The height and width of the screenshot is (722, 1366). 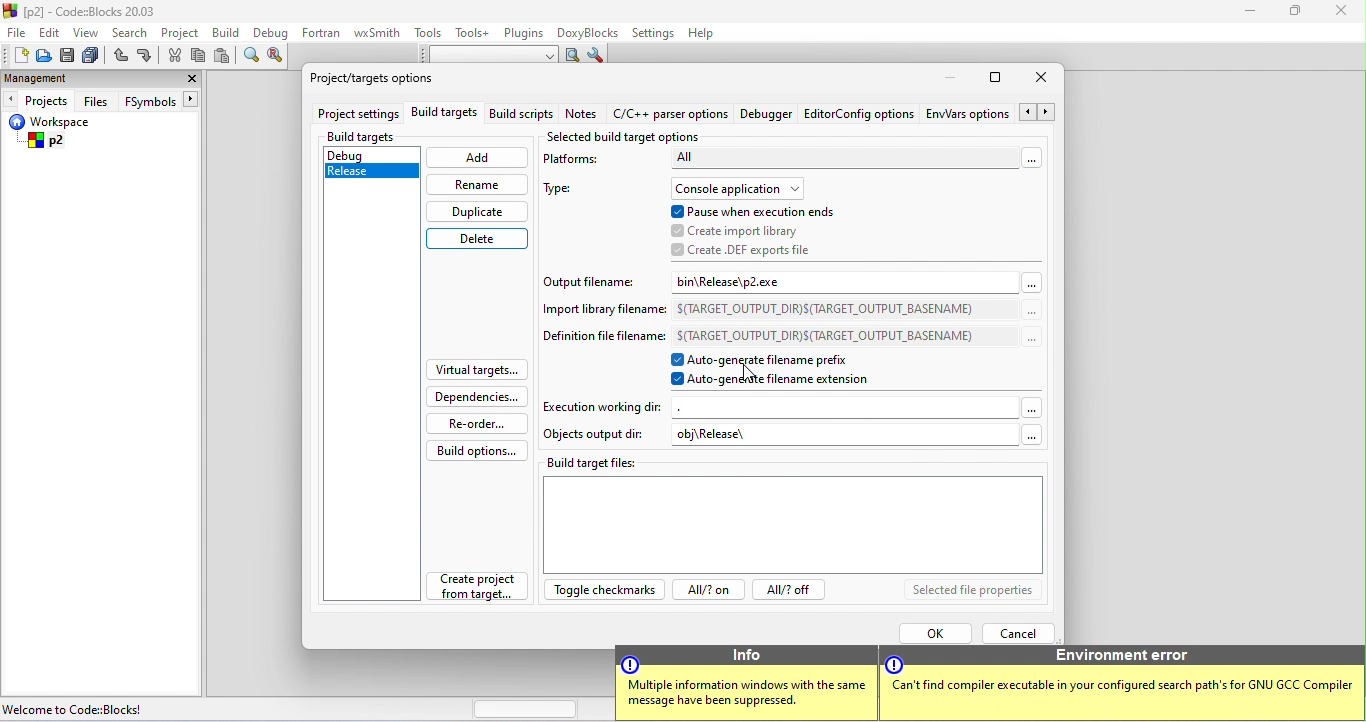 I want to click on cursor movement, so click(x=752, y=372).